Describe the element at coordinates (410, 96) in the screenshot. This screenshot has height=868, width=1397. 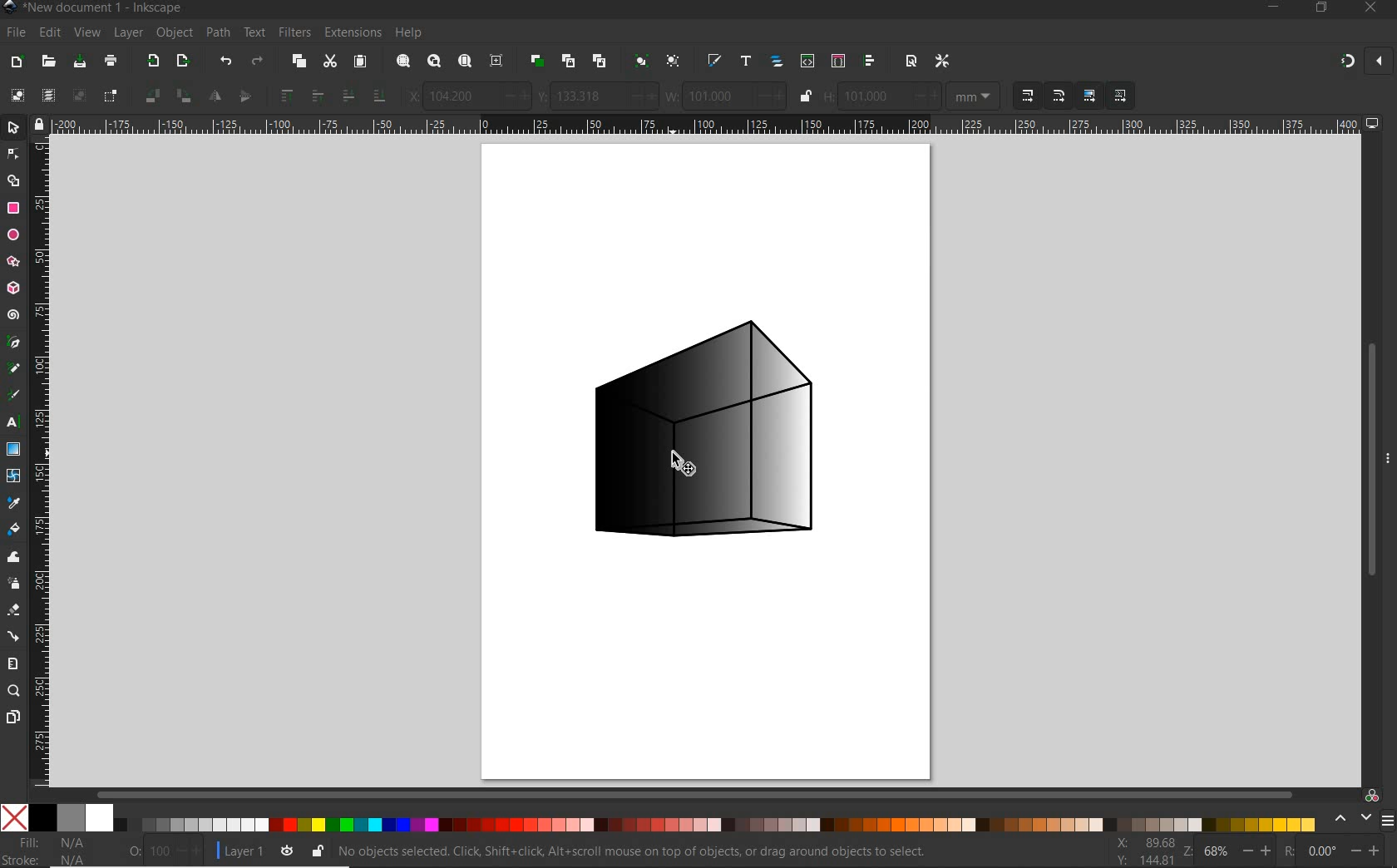
I see `HORIZONTAL COORDINATE OF SELECTION` at that location.